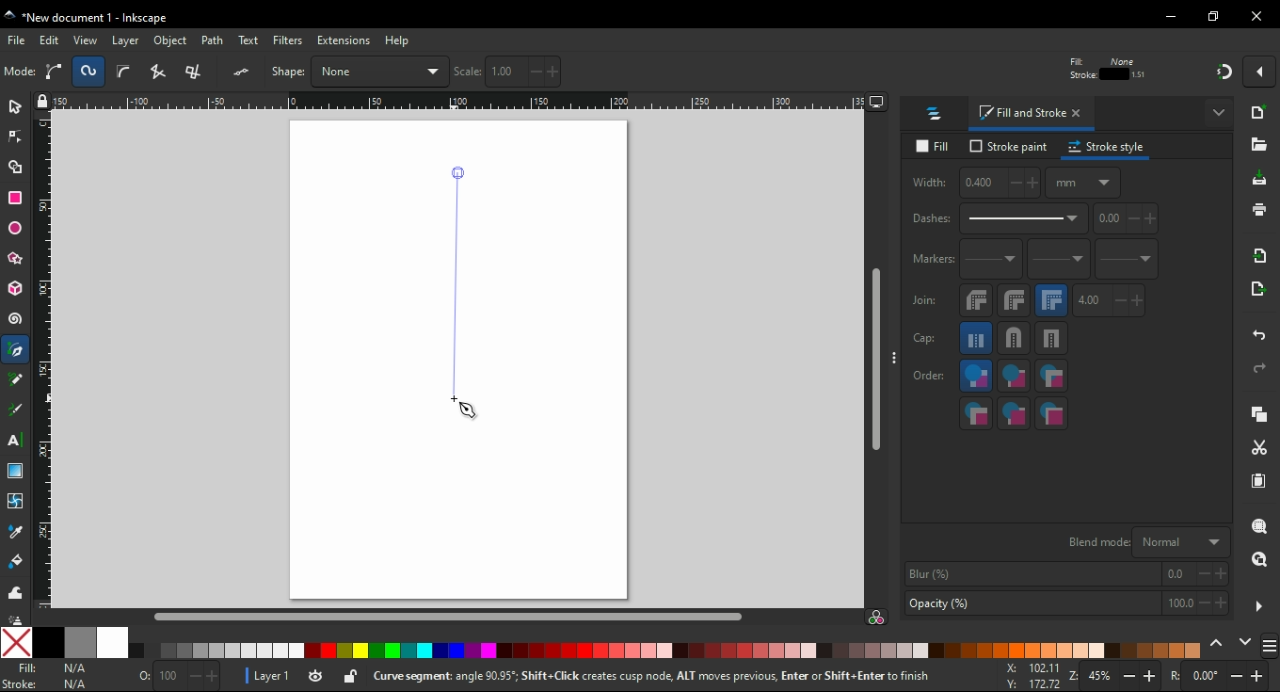 Image resolution: width=1280 pixels, height=692 pixels. I want to click on order, so click(929, 374).